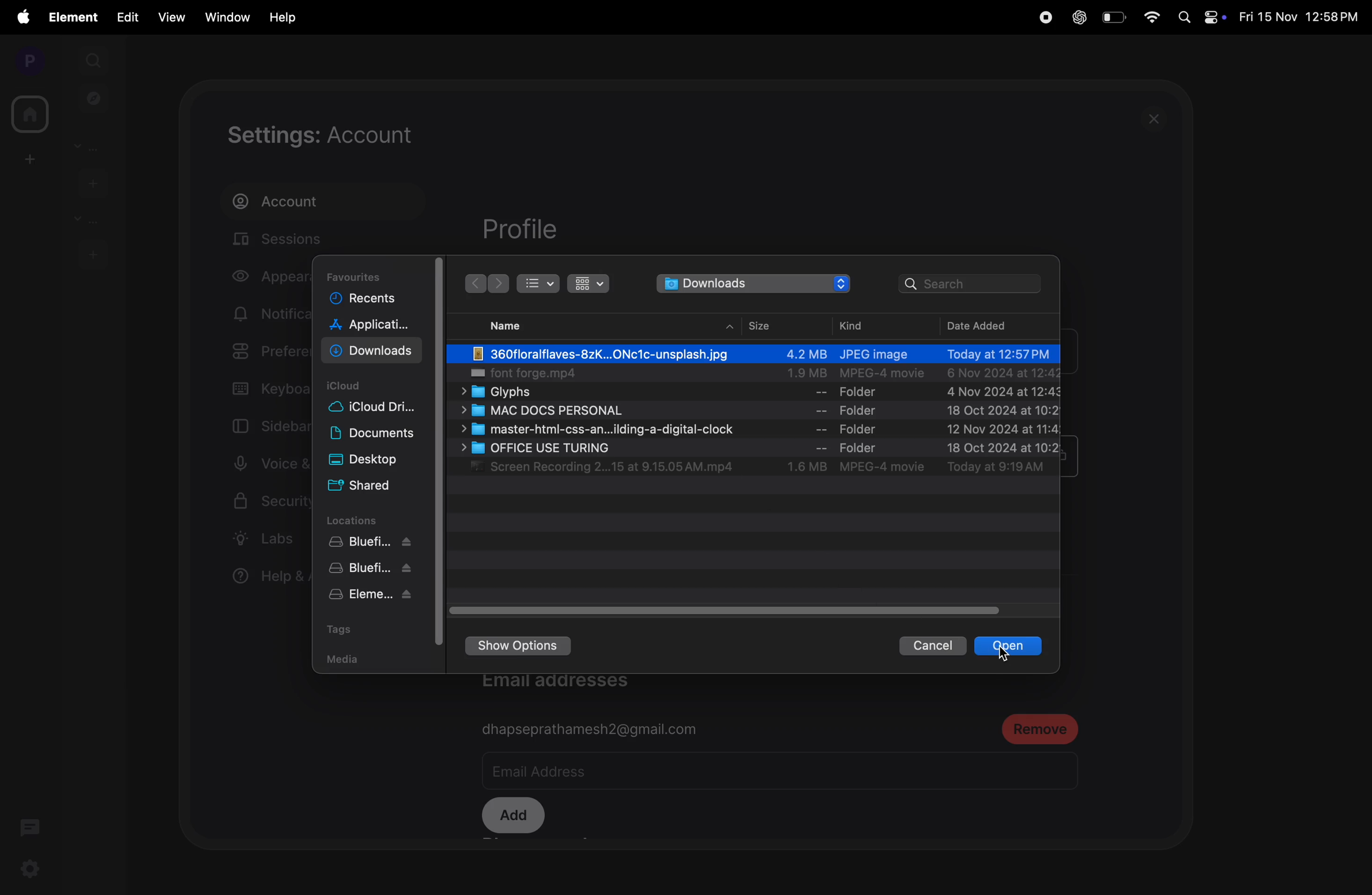 The height and width of the screenshot is (895, 1372). What do you see at coordinates (593, 284) in the screenshot?
I see `table view` at bounding box center [593, 284].